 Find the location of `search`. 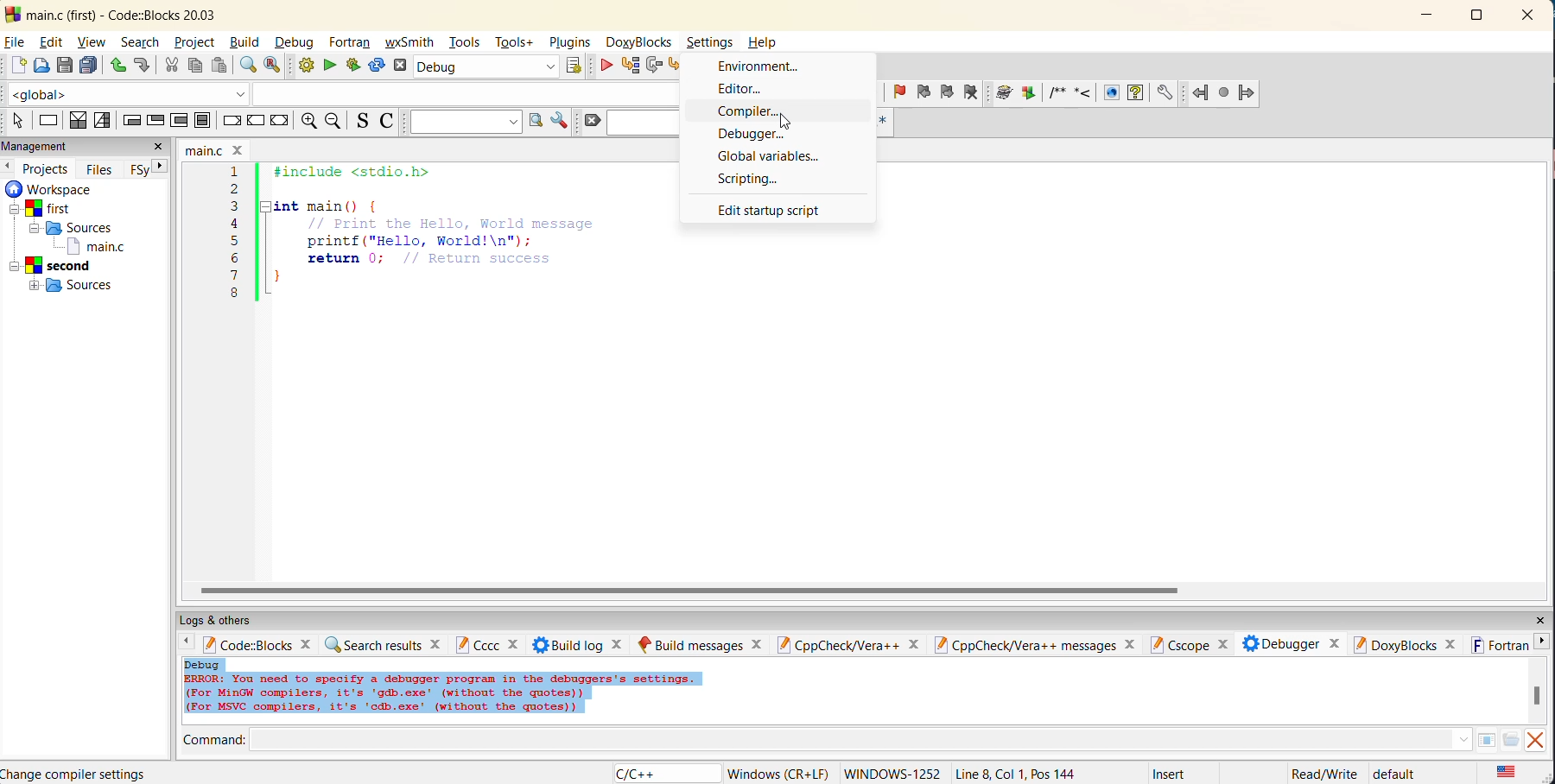

search is located at coordinates (143, 42).